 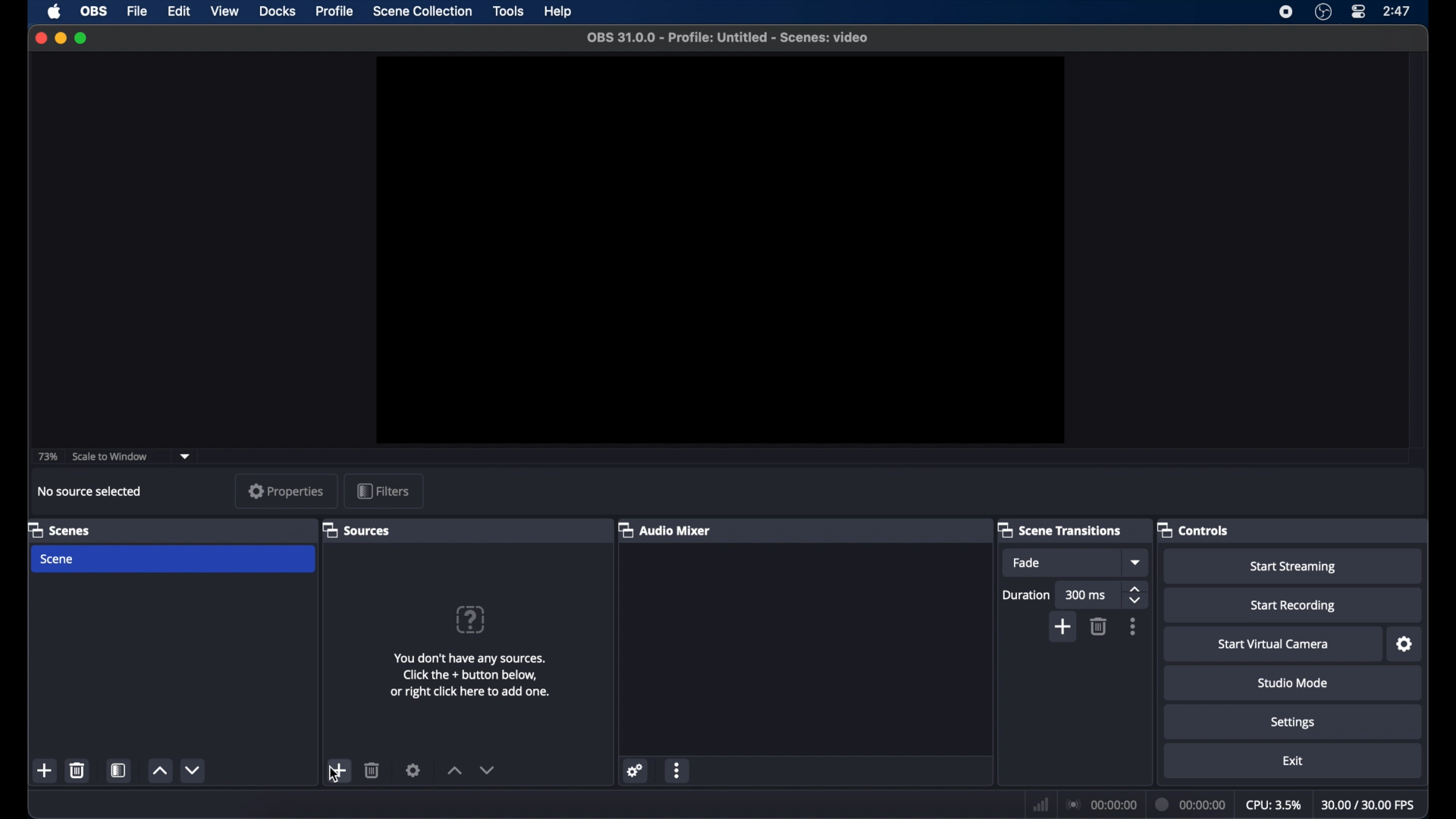 I want to click on fade, so click(x=1027, y=563).